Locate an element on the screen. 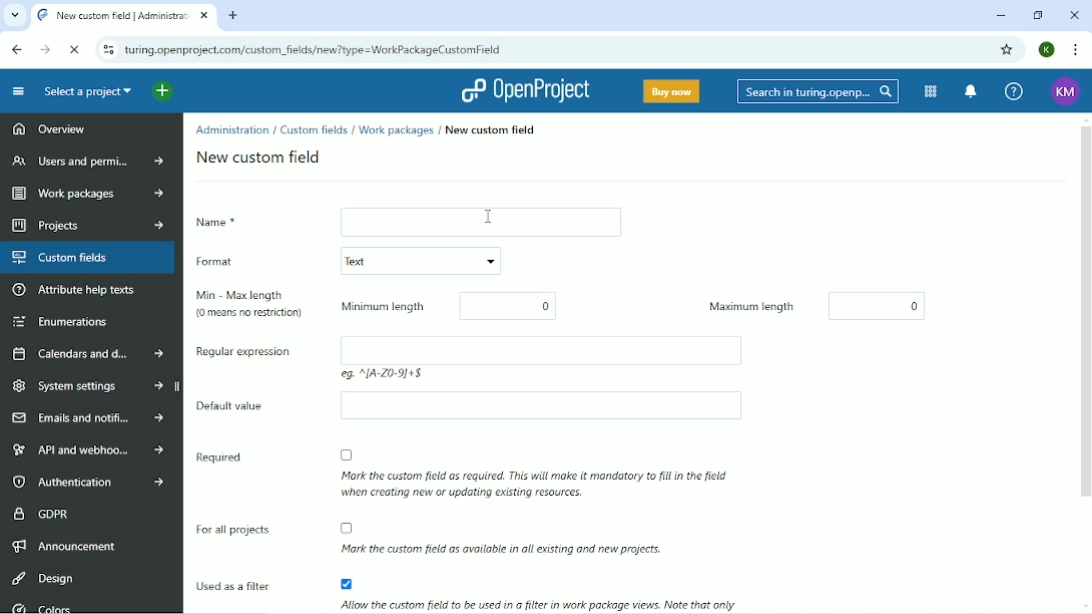  Vertical scrollbar is located at coordinates (1085, 319).